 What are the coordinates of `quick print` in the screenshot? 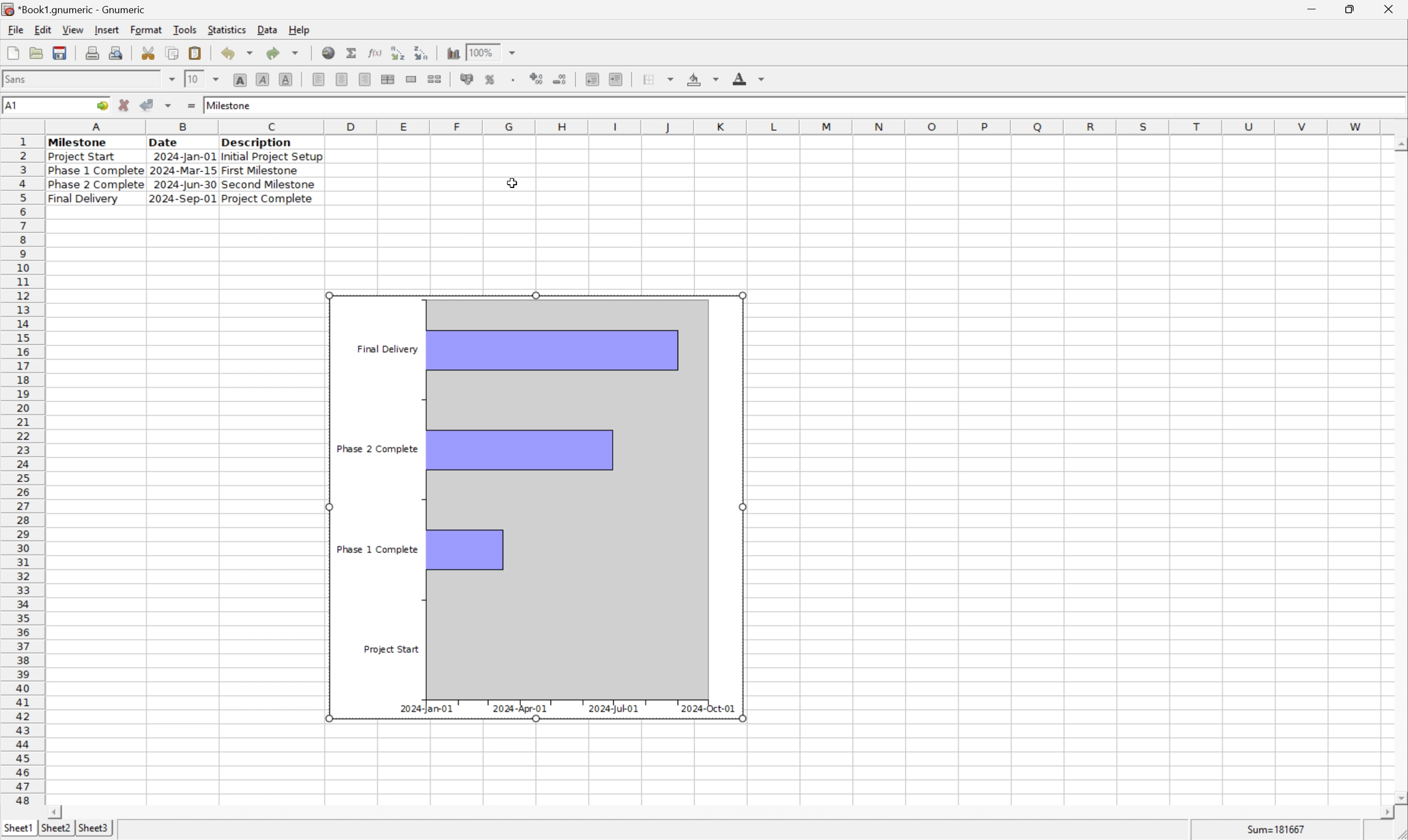 It's located at (117, 53).